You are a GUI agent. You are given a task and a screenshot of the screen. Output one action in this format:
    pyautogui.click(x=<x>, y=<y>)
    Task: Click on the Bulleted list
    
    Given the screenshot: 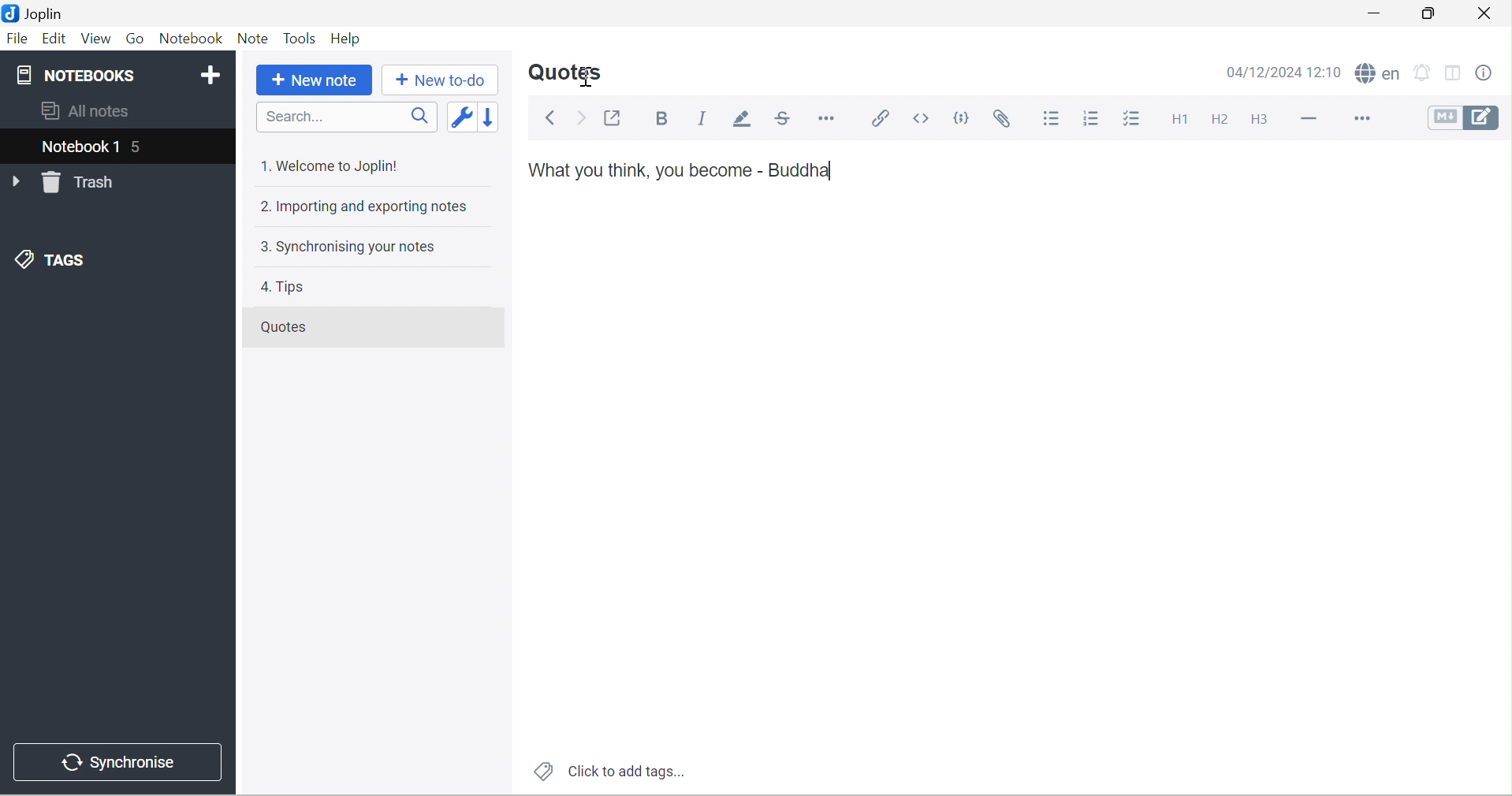 What is the action you would take?
    pyautogui.click(x=1052, y=121)
    